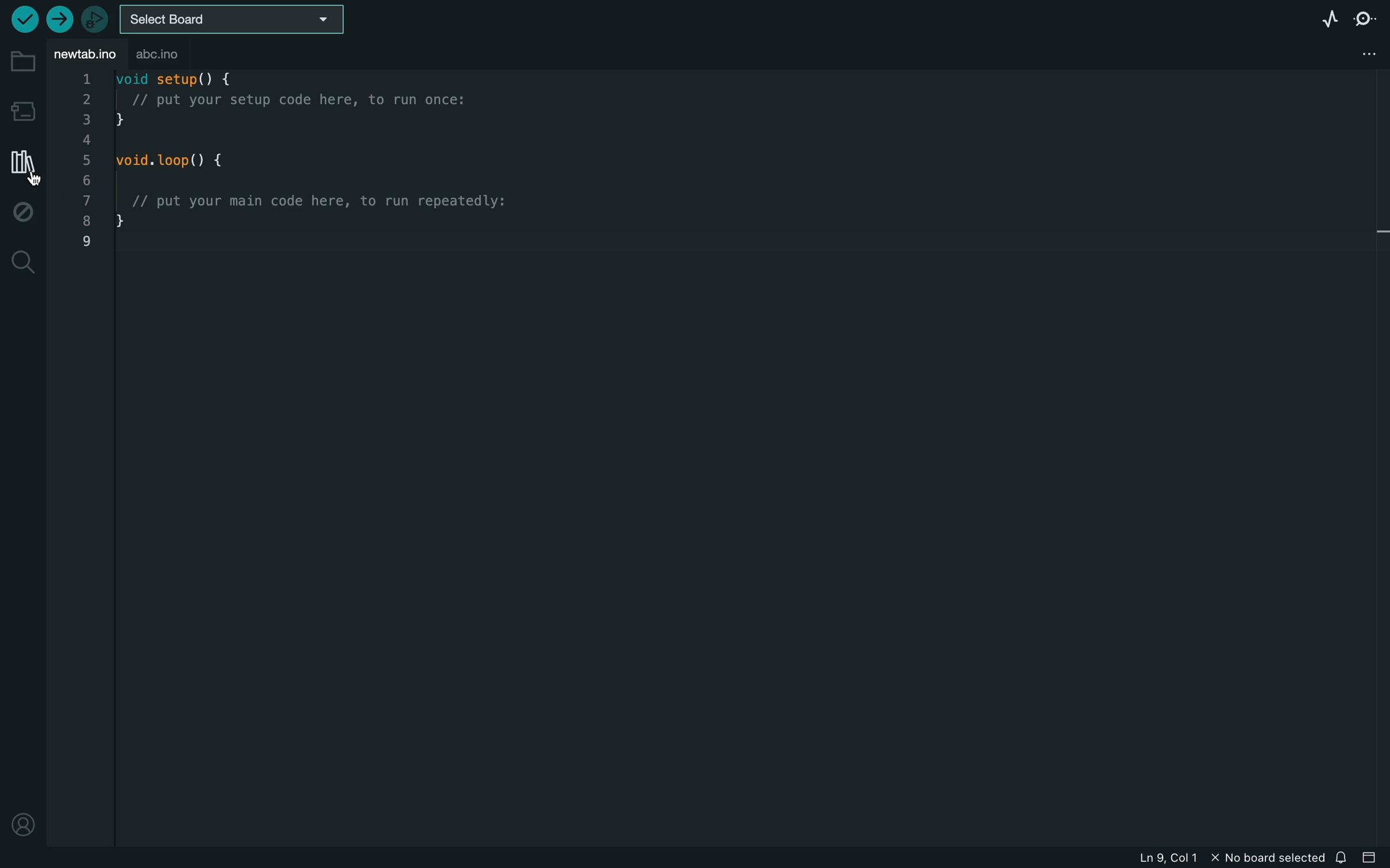 Image resolution: width=1390 pixels, height=868 pixels. Describe the element at coordinates (96, 18) in the screenshot. I see `debugger` at that location.